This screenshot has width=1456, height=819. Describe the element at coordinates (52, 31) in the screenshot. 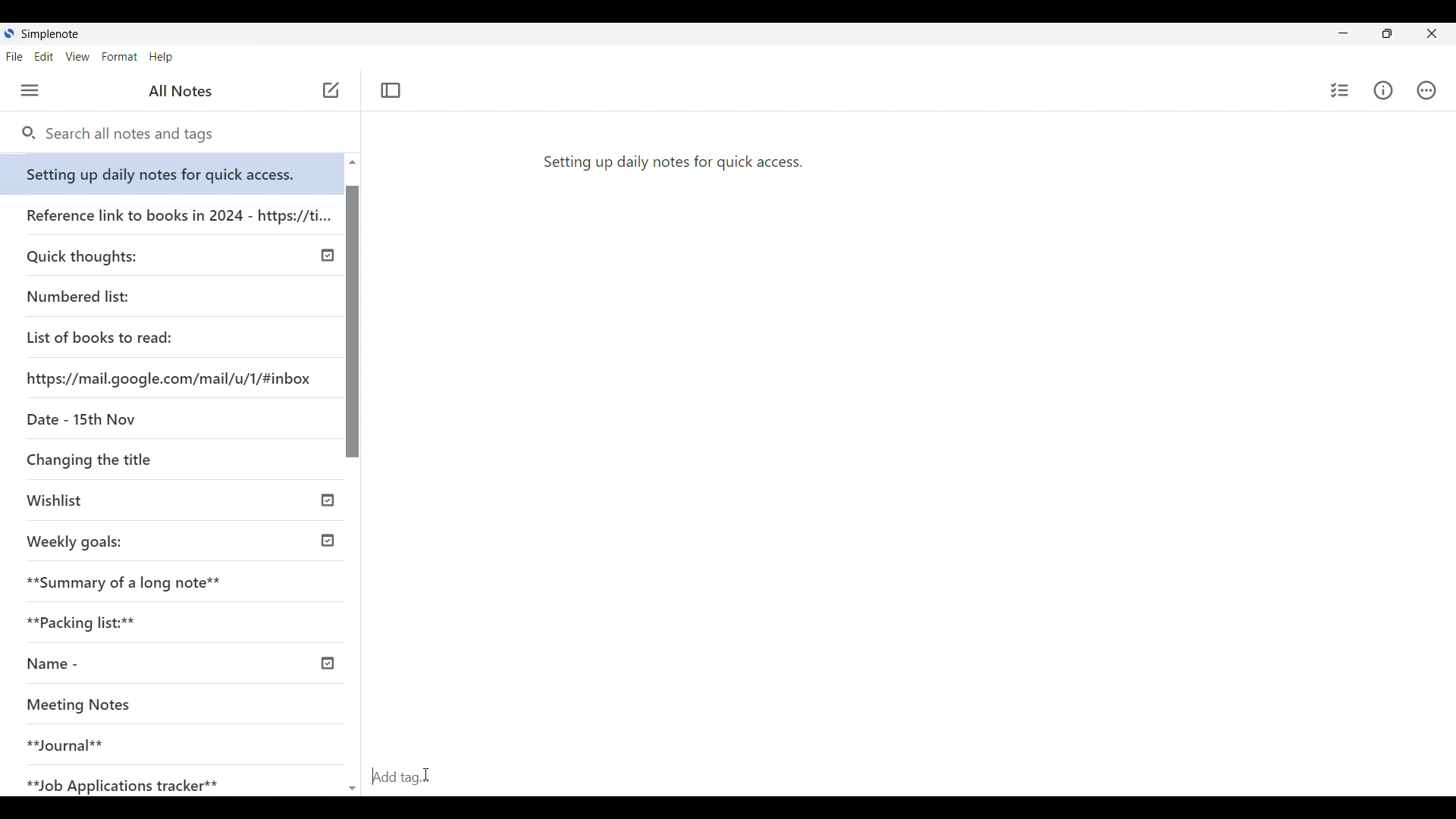

I see `Software note` at that location.